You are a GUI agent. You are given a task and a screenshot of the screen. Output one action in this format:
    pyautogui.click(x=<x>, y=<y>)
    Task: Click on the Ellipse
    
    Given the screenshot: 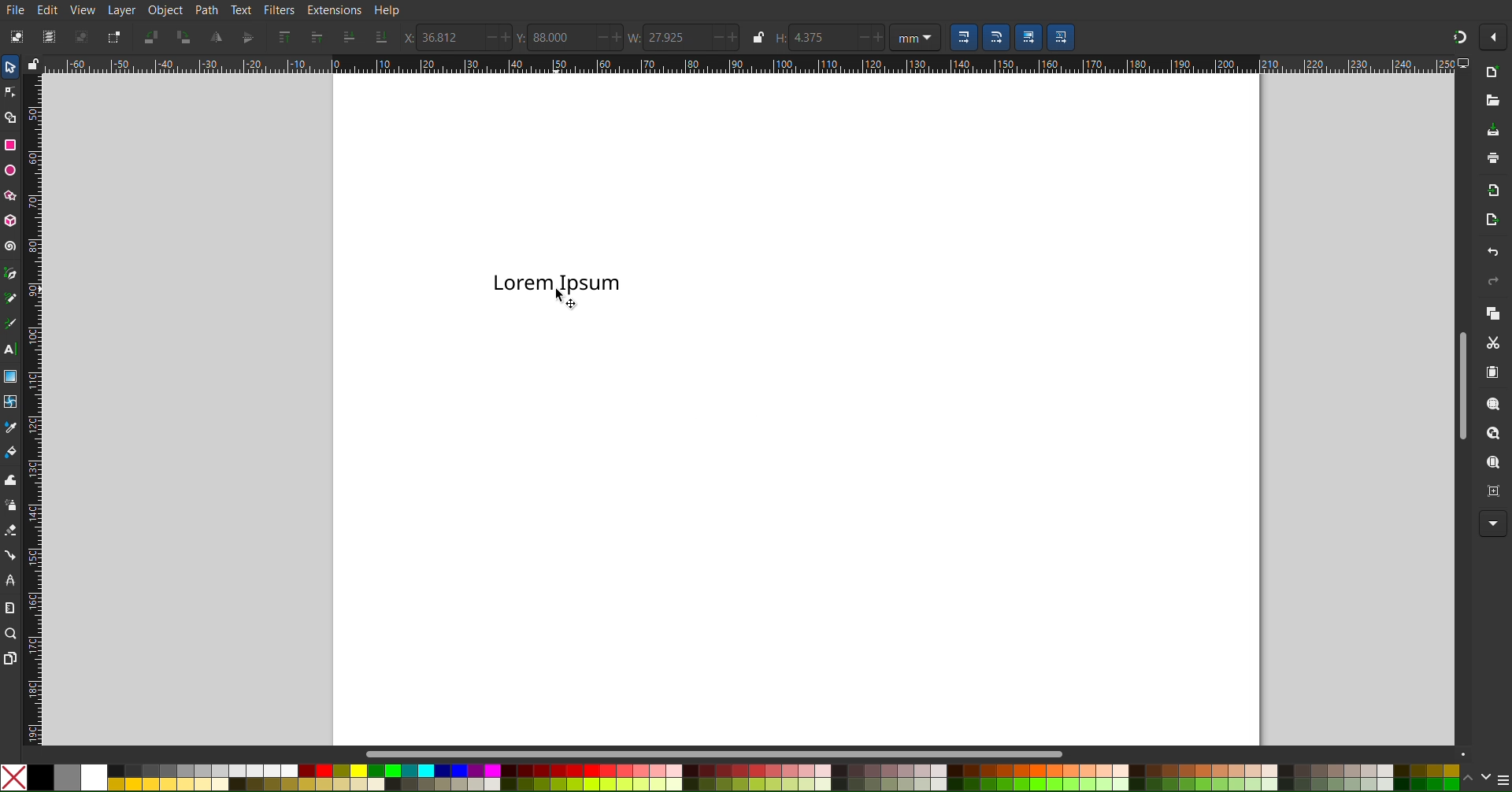 What is the action you would take?
    pyautogui.click(x=11, y=171)
    